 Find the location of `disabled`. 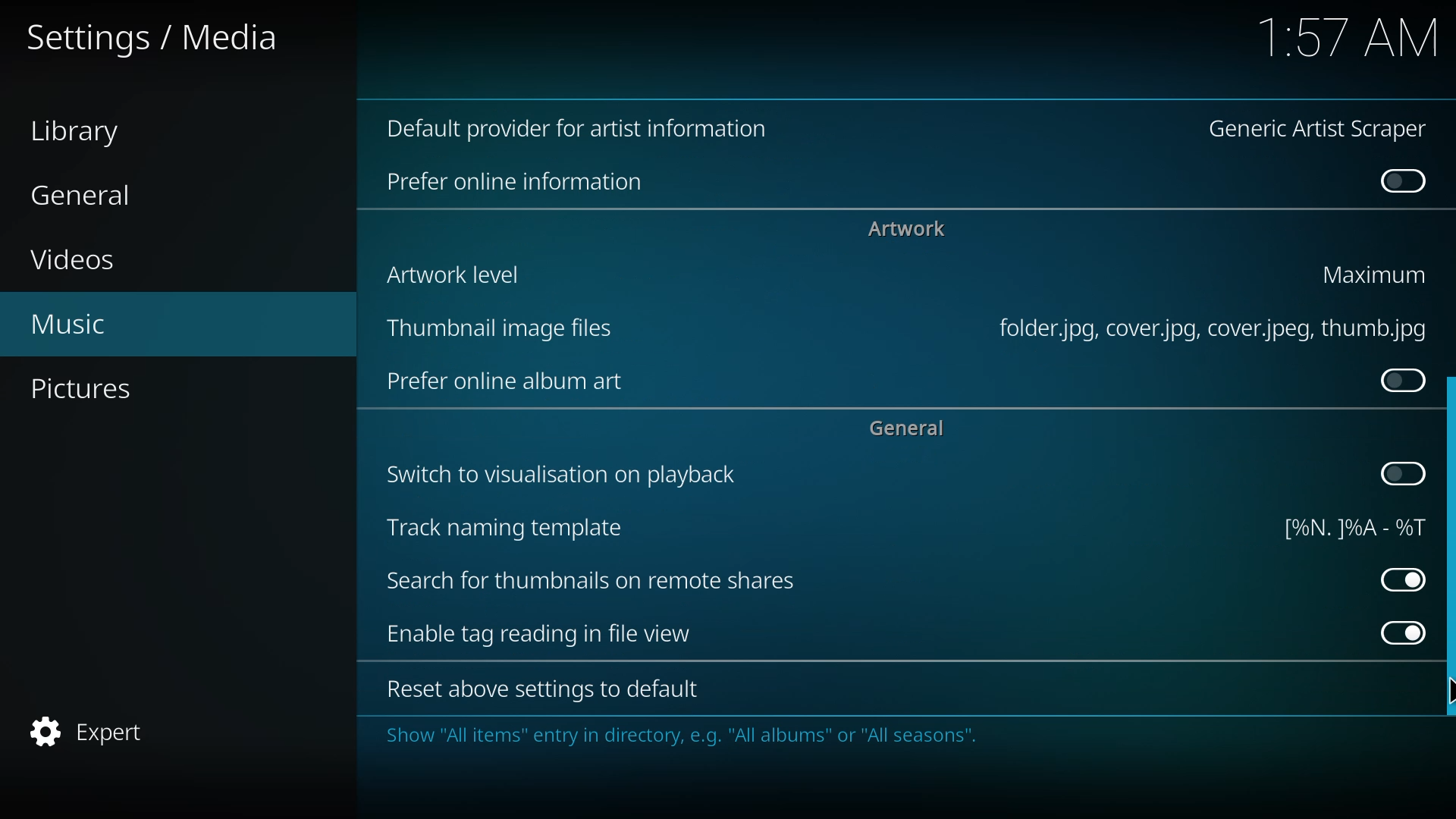

disabled is located at coordinates (1401, 183).